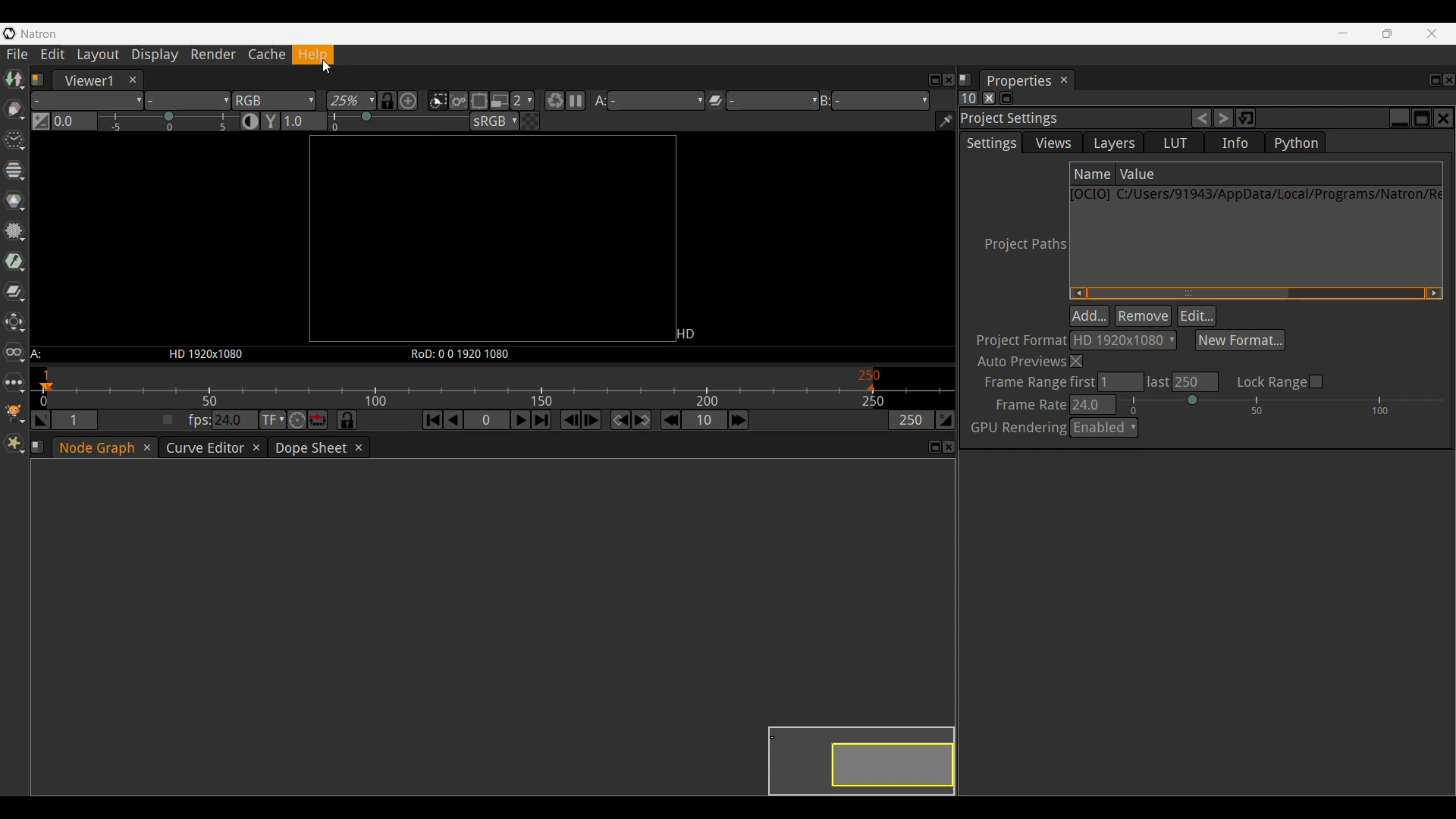 The image size is (1456, 819). Describe the element at coordinates (1241, 340) in the screenshot. I see `Select new format` at that location.